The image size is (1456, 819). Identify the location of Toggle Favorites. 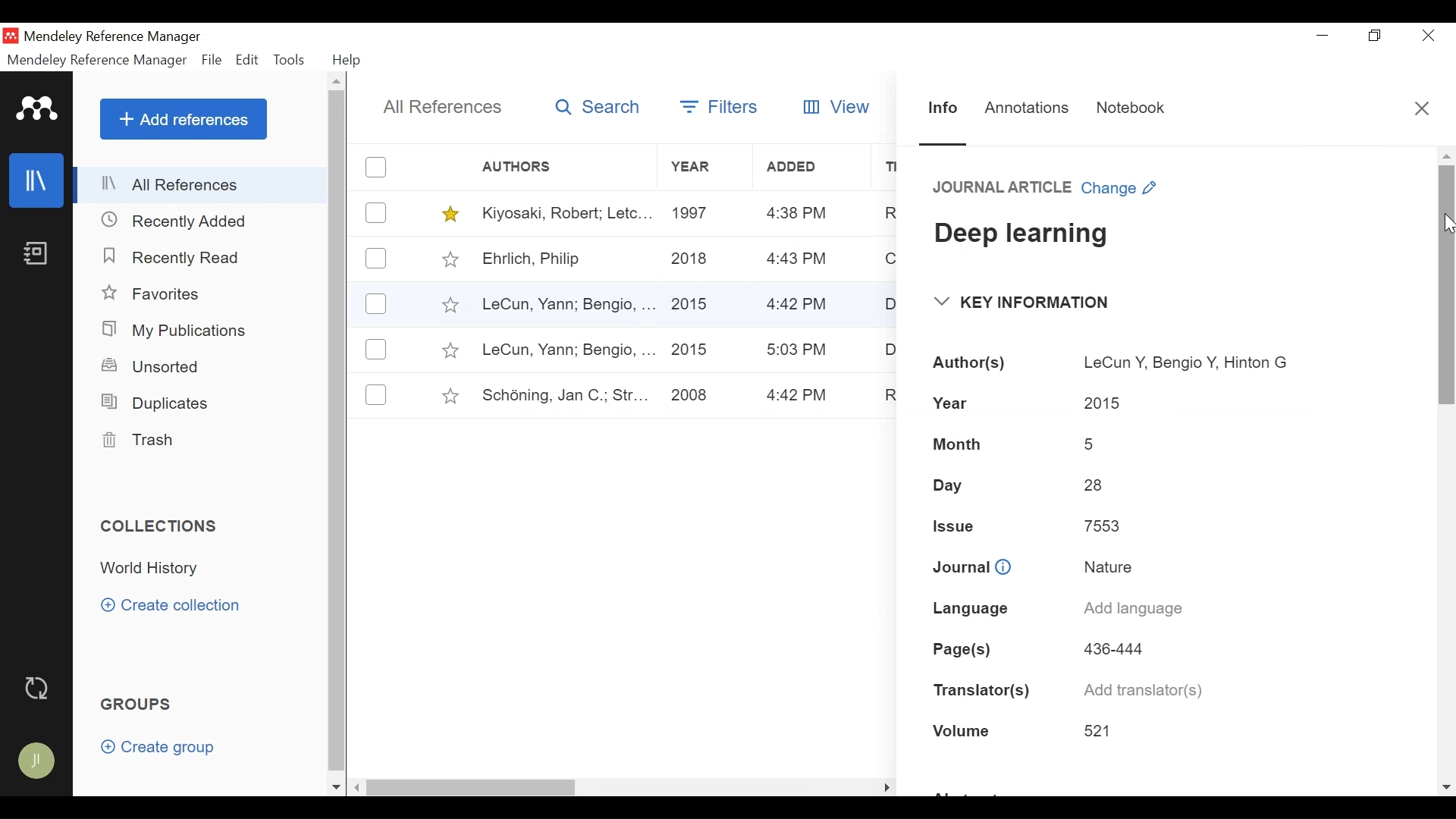
(449, 350).